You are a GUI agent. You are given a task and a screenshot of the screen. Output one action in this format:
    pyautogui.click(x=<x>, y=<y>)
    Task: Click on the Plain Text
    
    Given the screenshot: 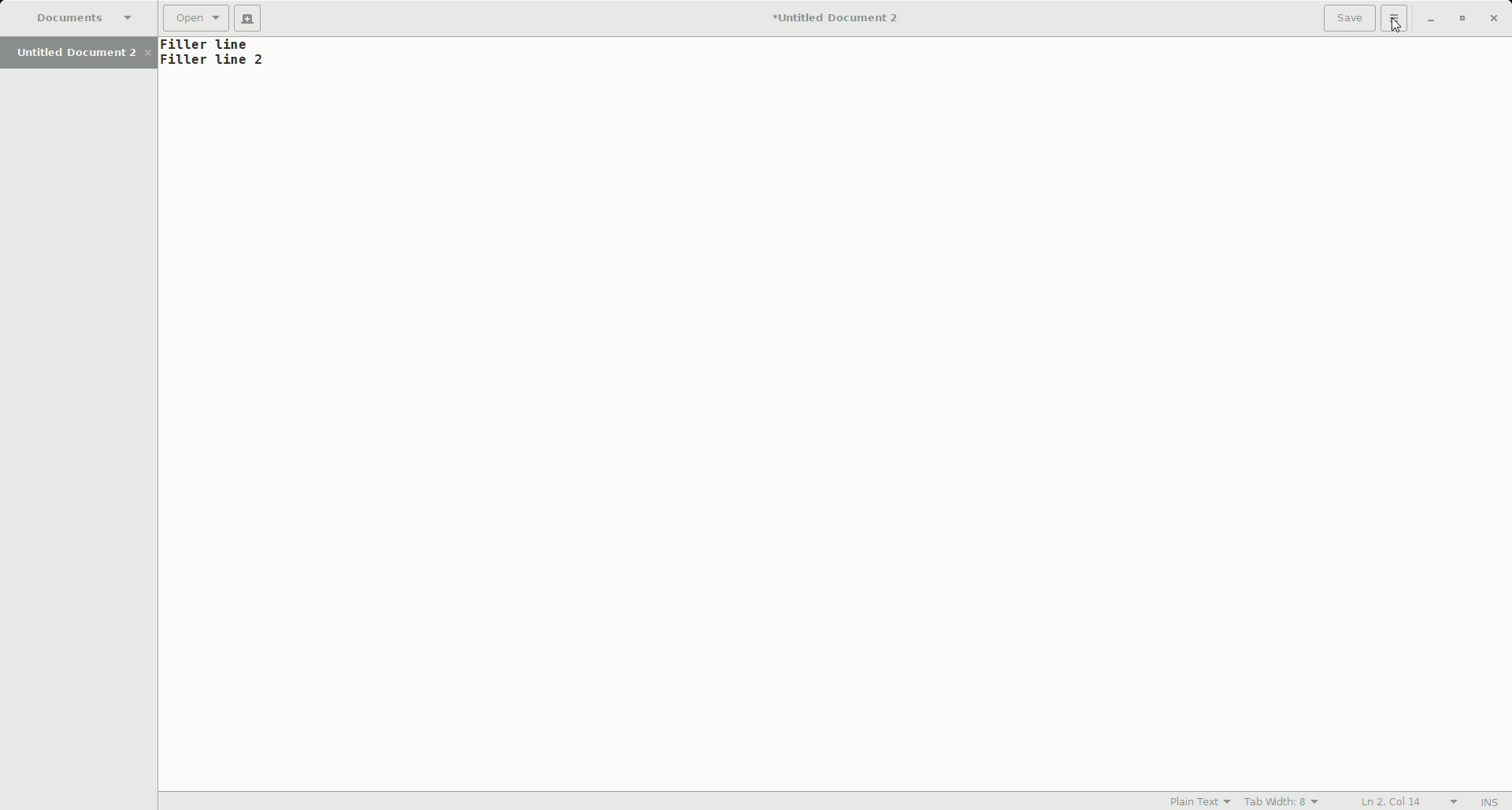 What is the action you would take?
    pyautogui.click(x=1195, y=801)
    